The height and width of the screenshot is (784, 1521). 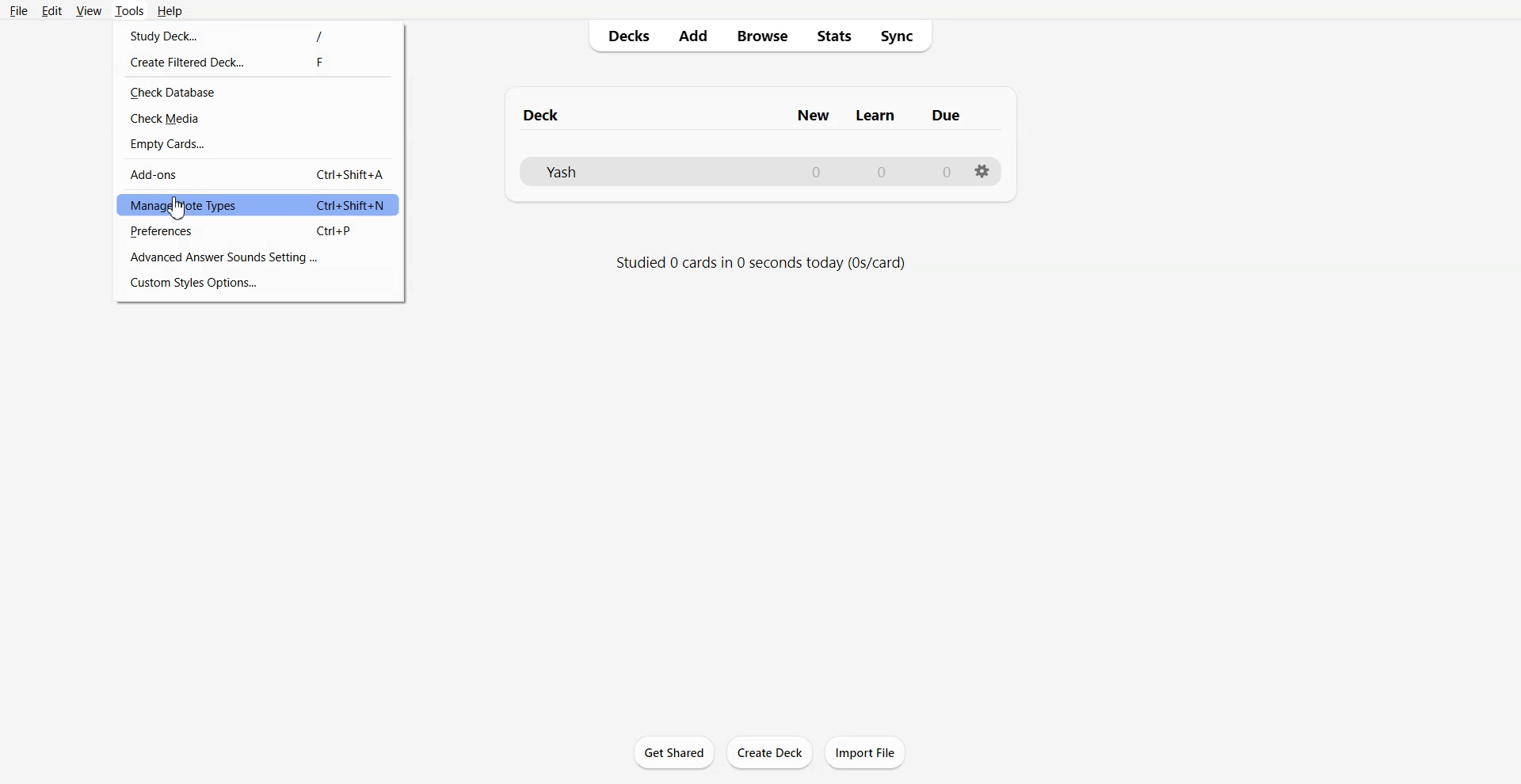 I want to click on Study Deck, so click(x=256, y=36).